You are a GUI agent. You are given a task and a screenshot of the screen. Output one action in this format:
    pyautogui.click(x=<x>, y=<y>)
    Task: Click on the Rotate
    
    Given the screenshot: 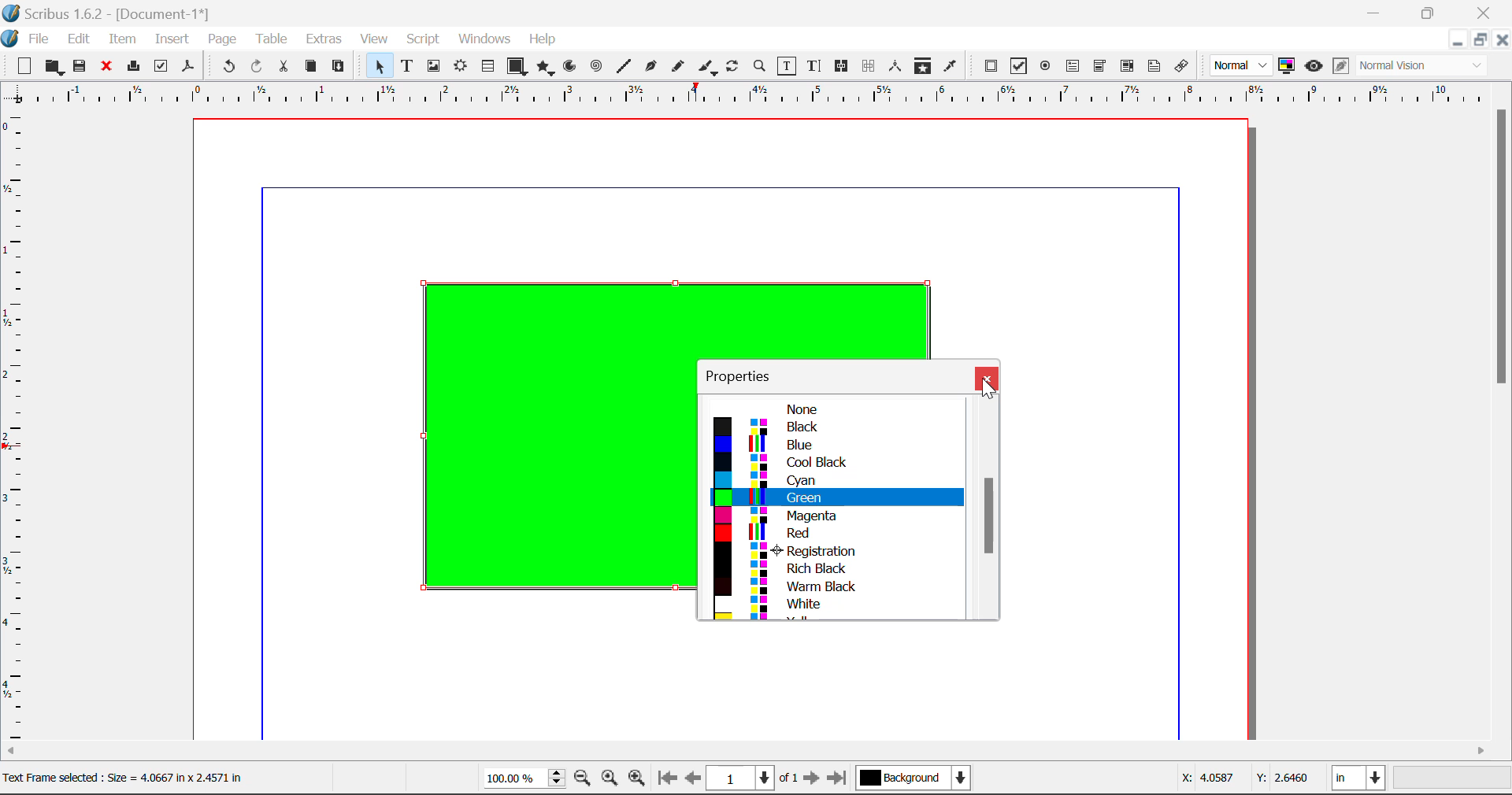 What is the action you would take?
    pyautogui.click(x=733, y=65)
    